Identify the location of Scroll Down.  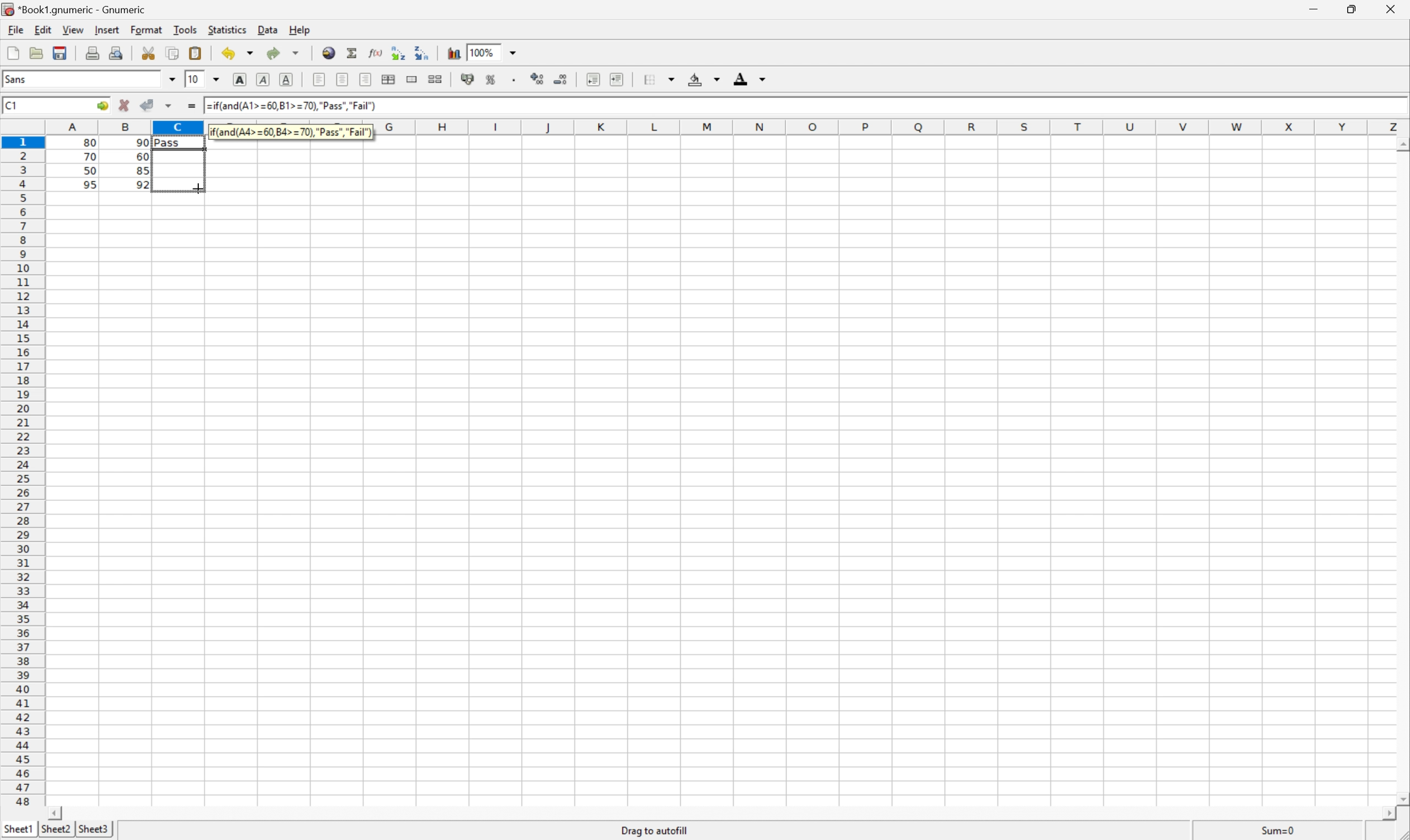
(1401, 797).